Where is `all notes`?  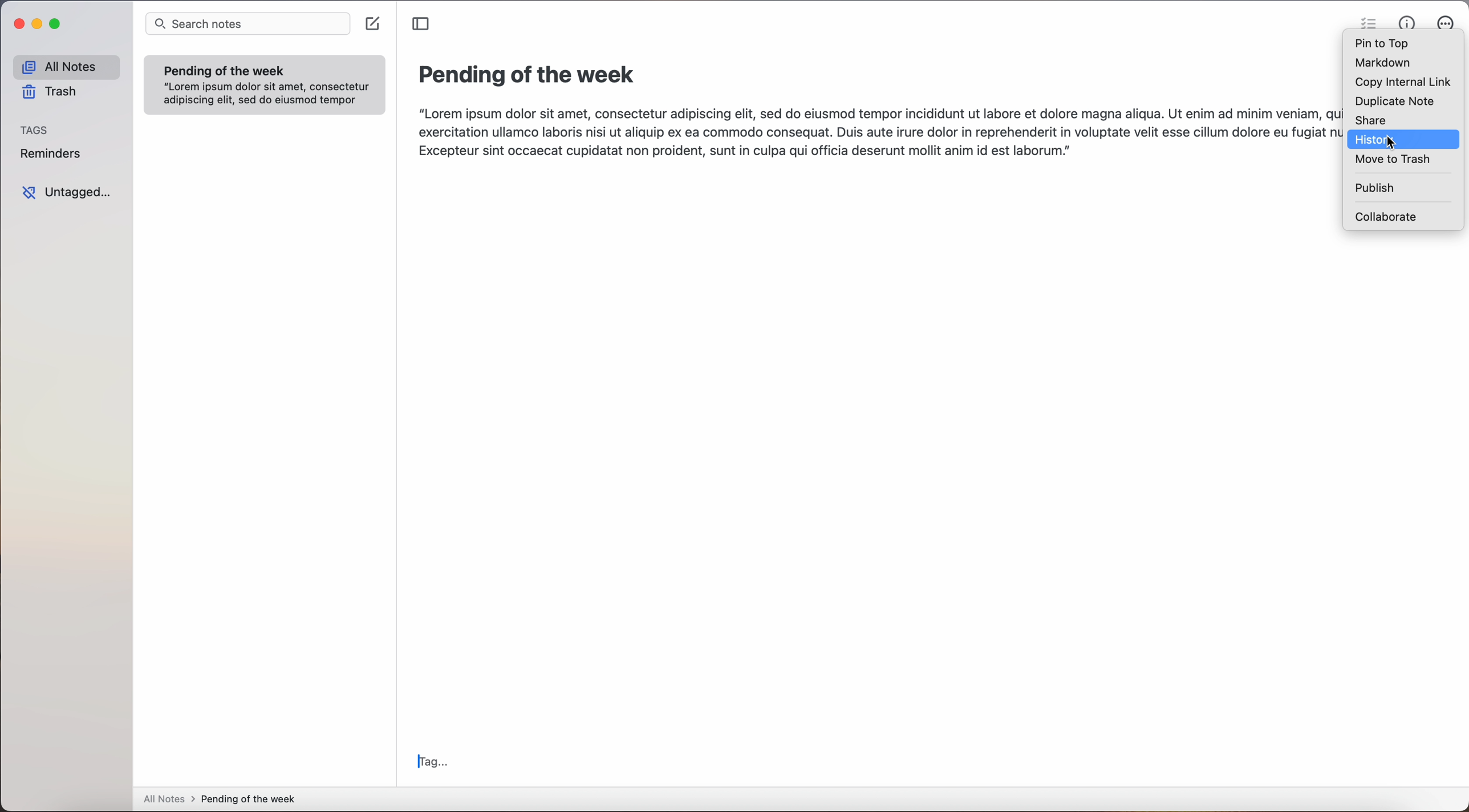 all notes is located at coordinates (63, 67).